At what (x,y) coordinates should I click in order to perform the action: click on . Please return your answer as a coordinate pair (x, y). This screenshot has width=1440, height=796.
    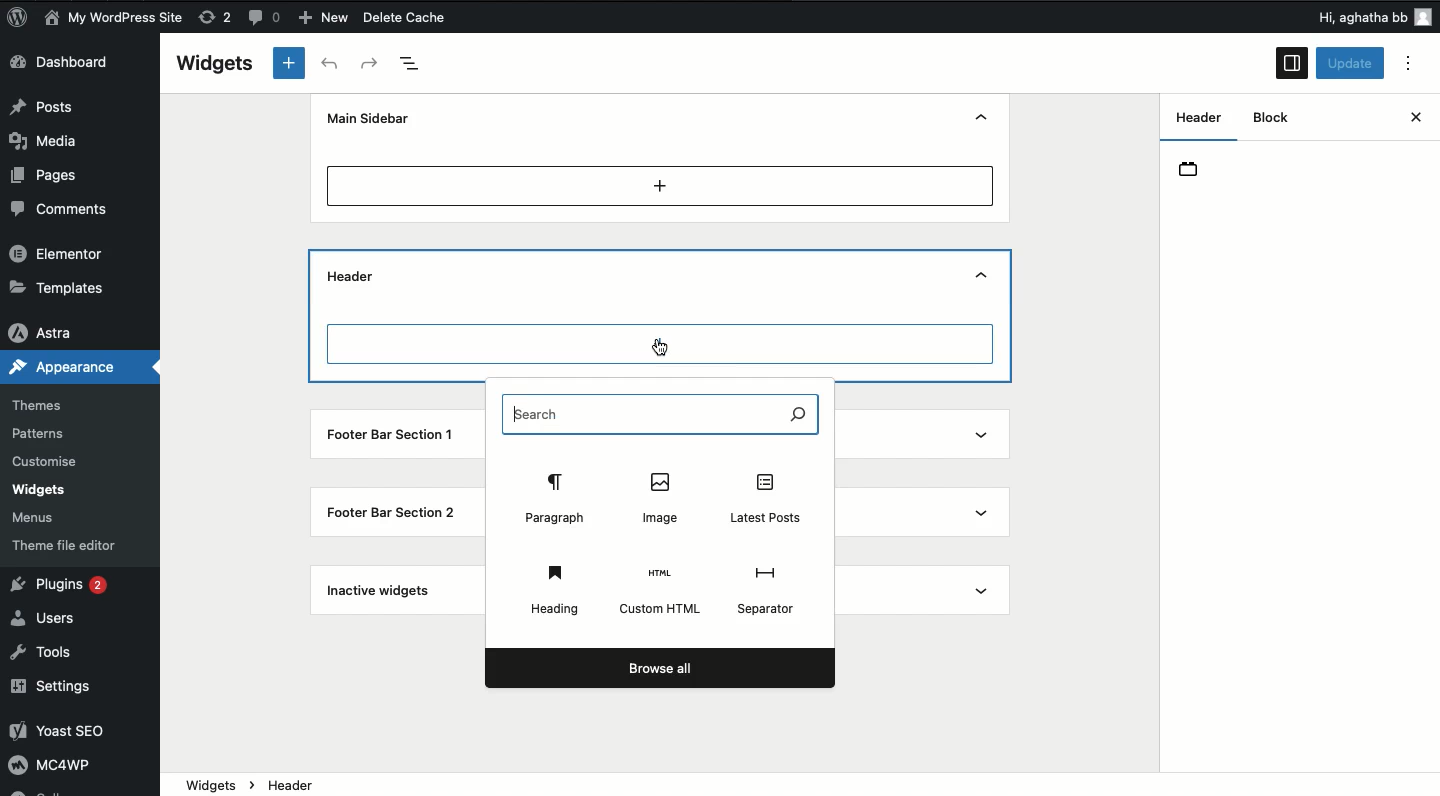
    Looking at the image, I should click on (267, 20).